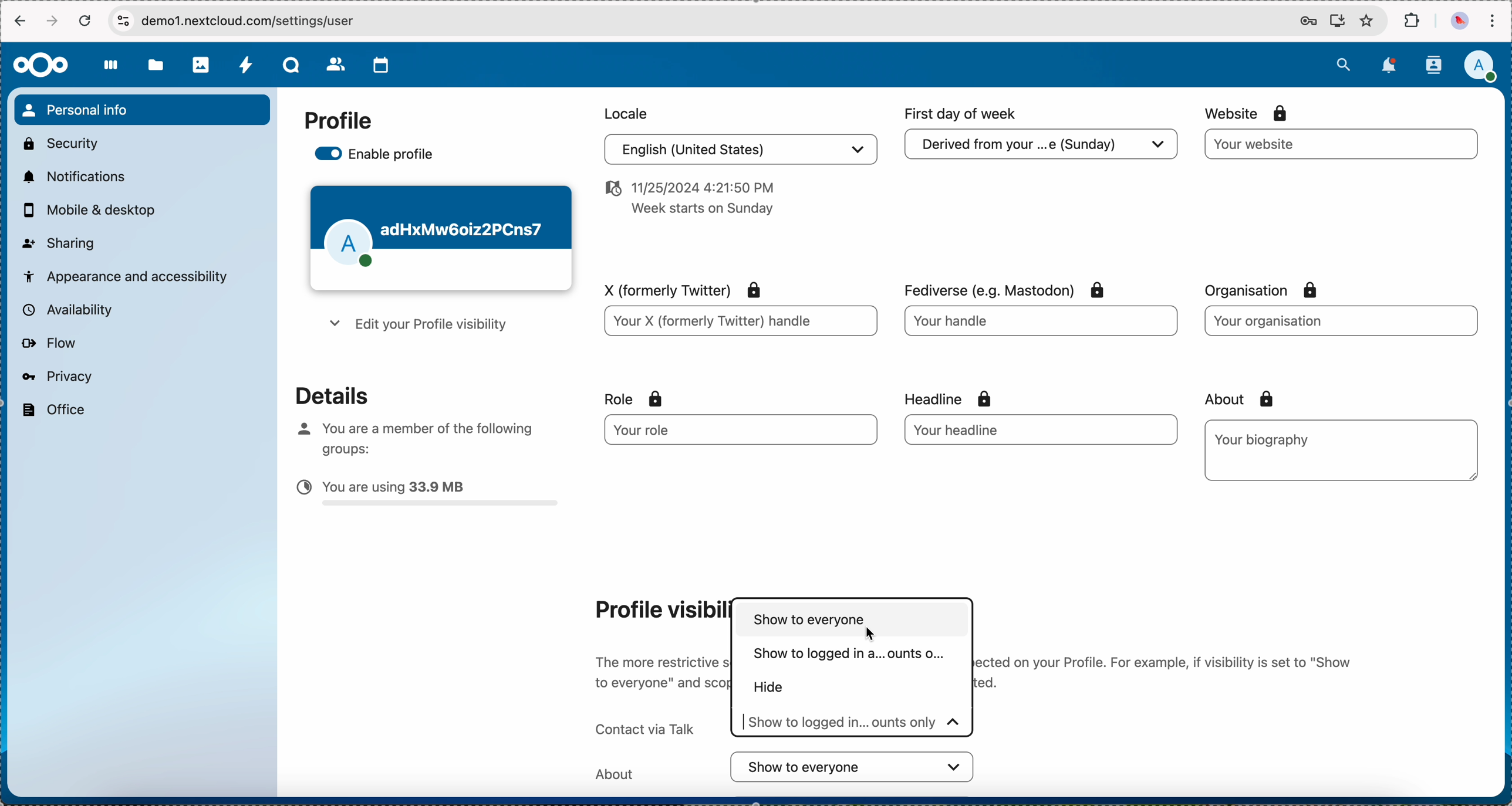  Describe the element at coordinates (39, 65) in the screenshot. I see `Nextcloud logo` at that location.